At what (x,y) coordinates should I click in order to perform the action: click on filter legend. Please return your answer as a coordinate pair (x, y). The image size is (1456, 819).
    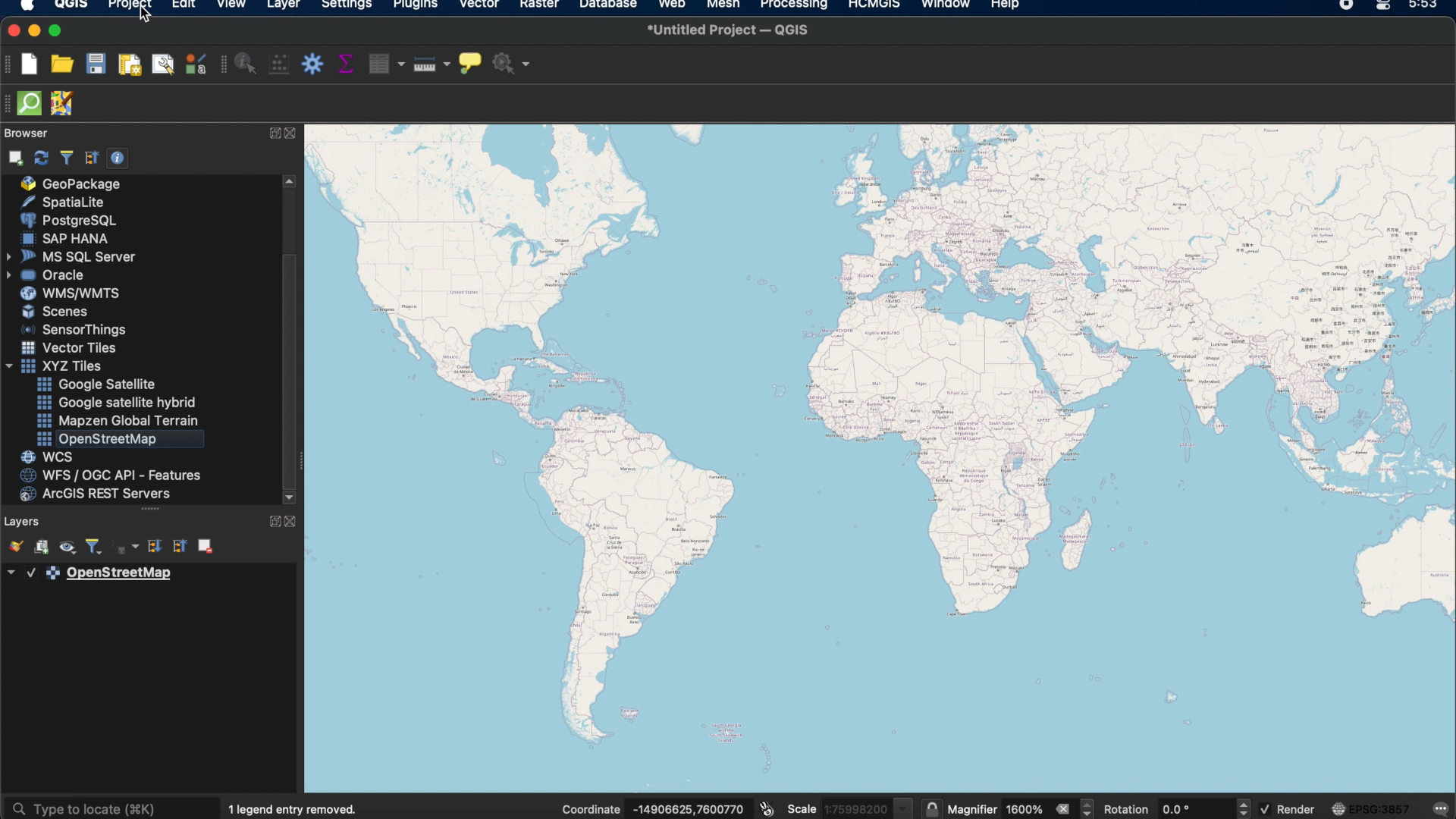
    Looking at the image, I should click on (93, 548).